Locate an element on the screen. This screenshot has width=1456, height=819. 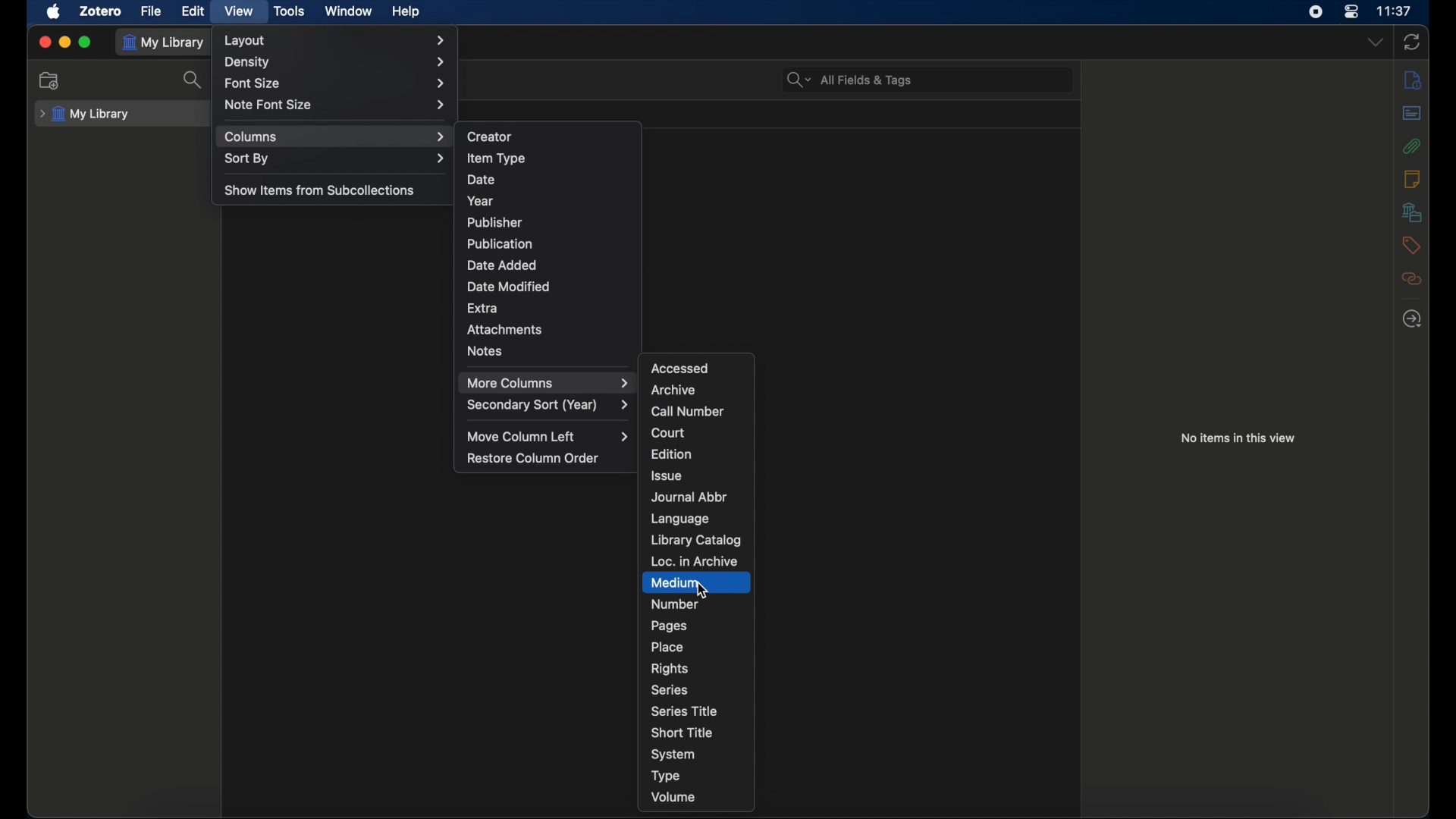
tags is located at coordinates (1411, 245).